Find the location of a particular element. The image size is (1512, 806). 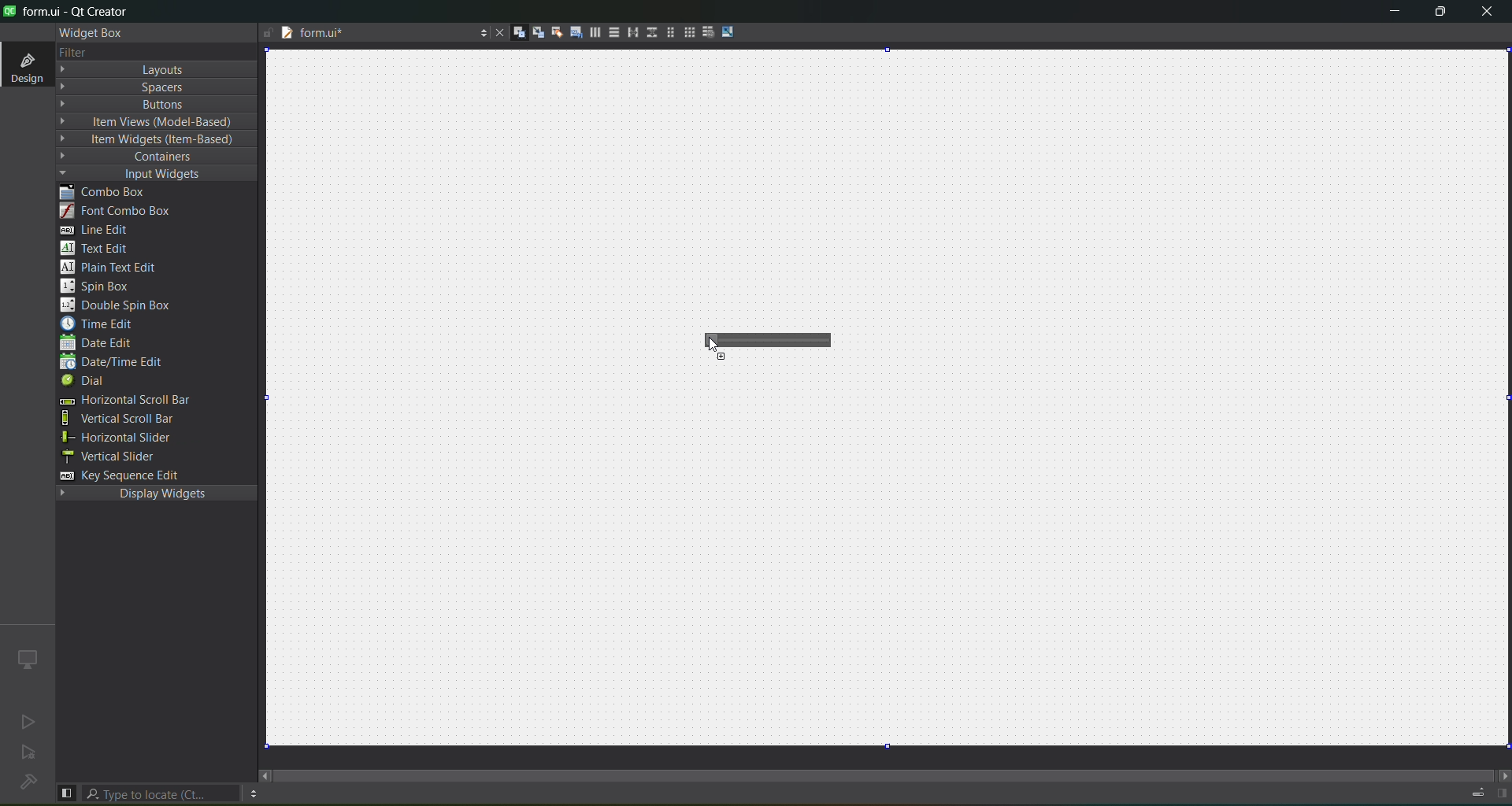

date/edit edit is located at coordinates (114, 362).